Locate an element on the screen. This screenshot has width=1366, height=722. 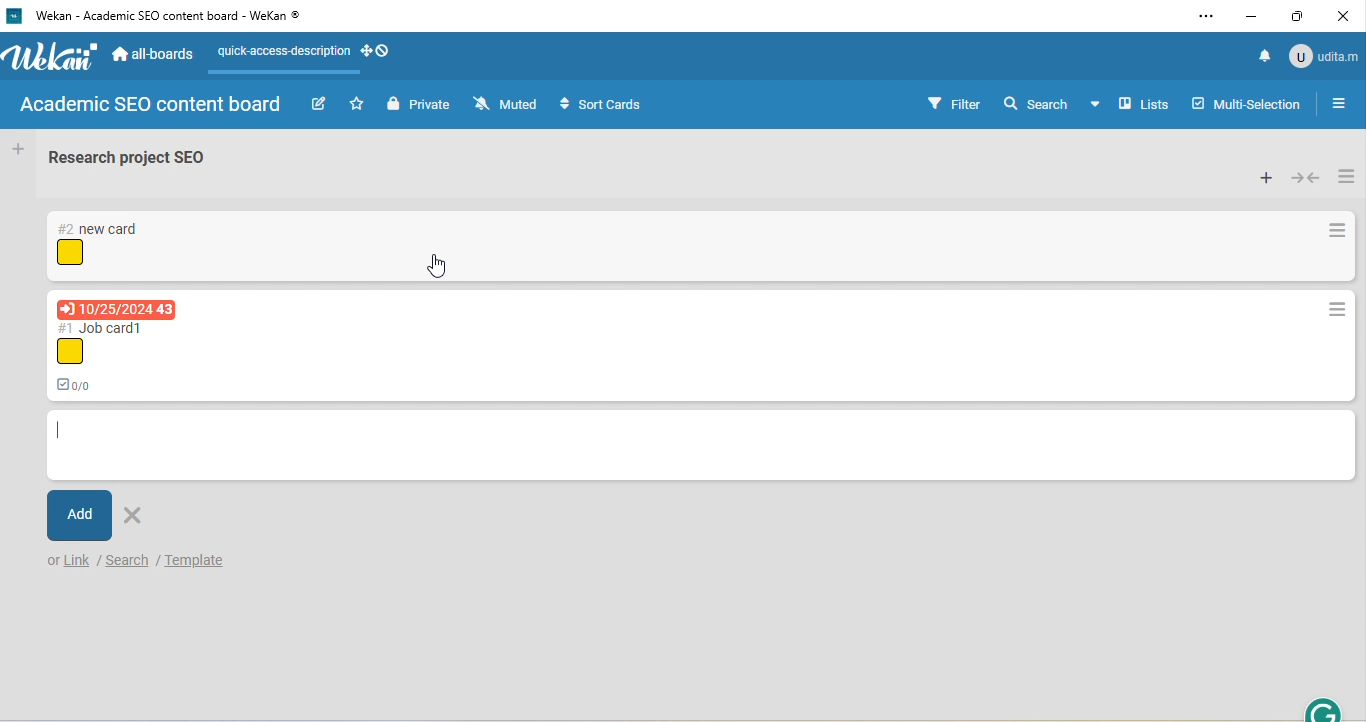
search is located at coordinates (126, 561).